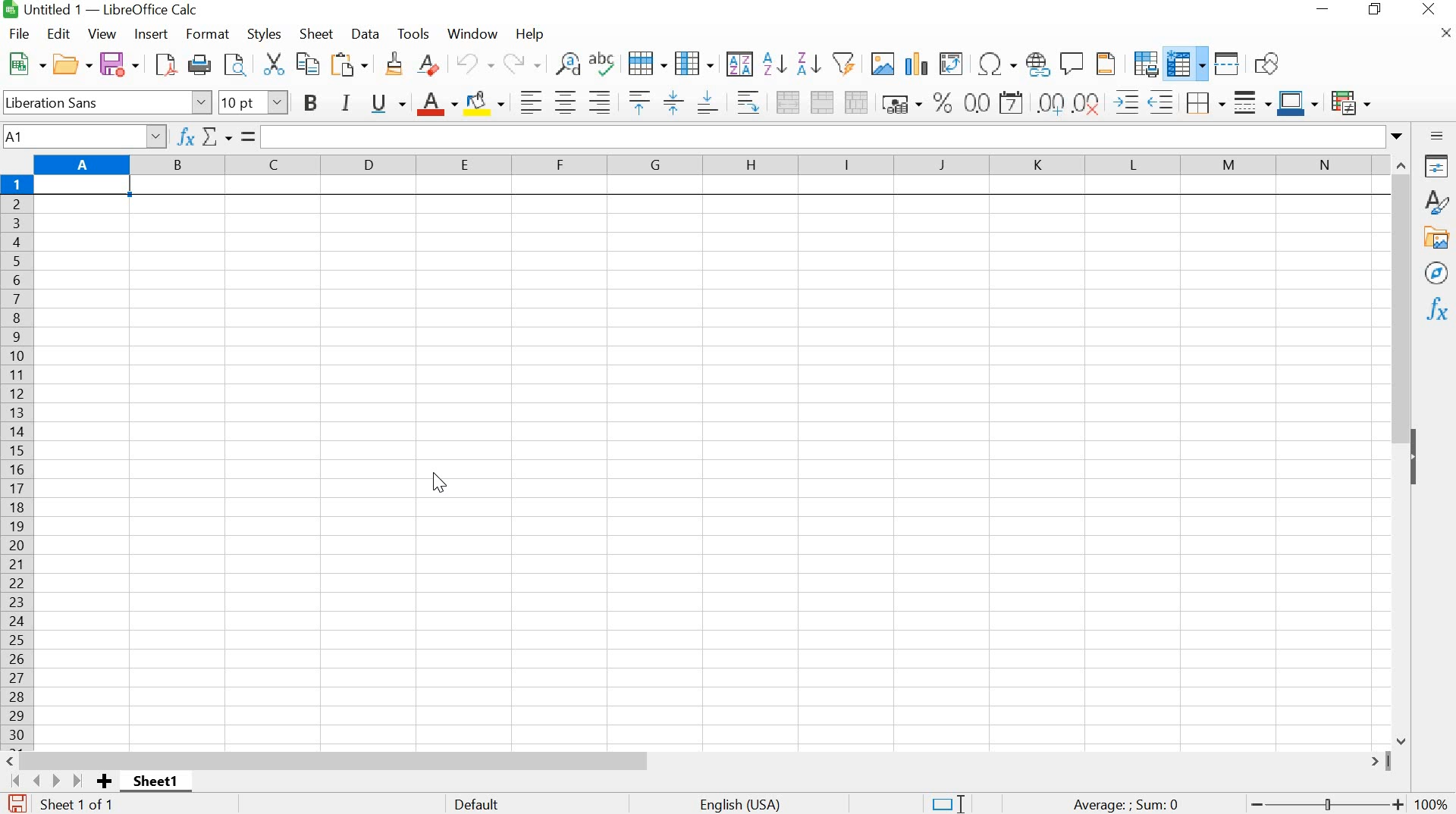  I want to click on WRAP TEXT, so click(745, 102).